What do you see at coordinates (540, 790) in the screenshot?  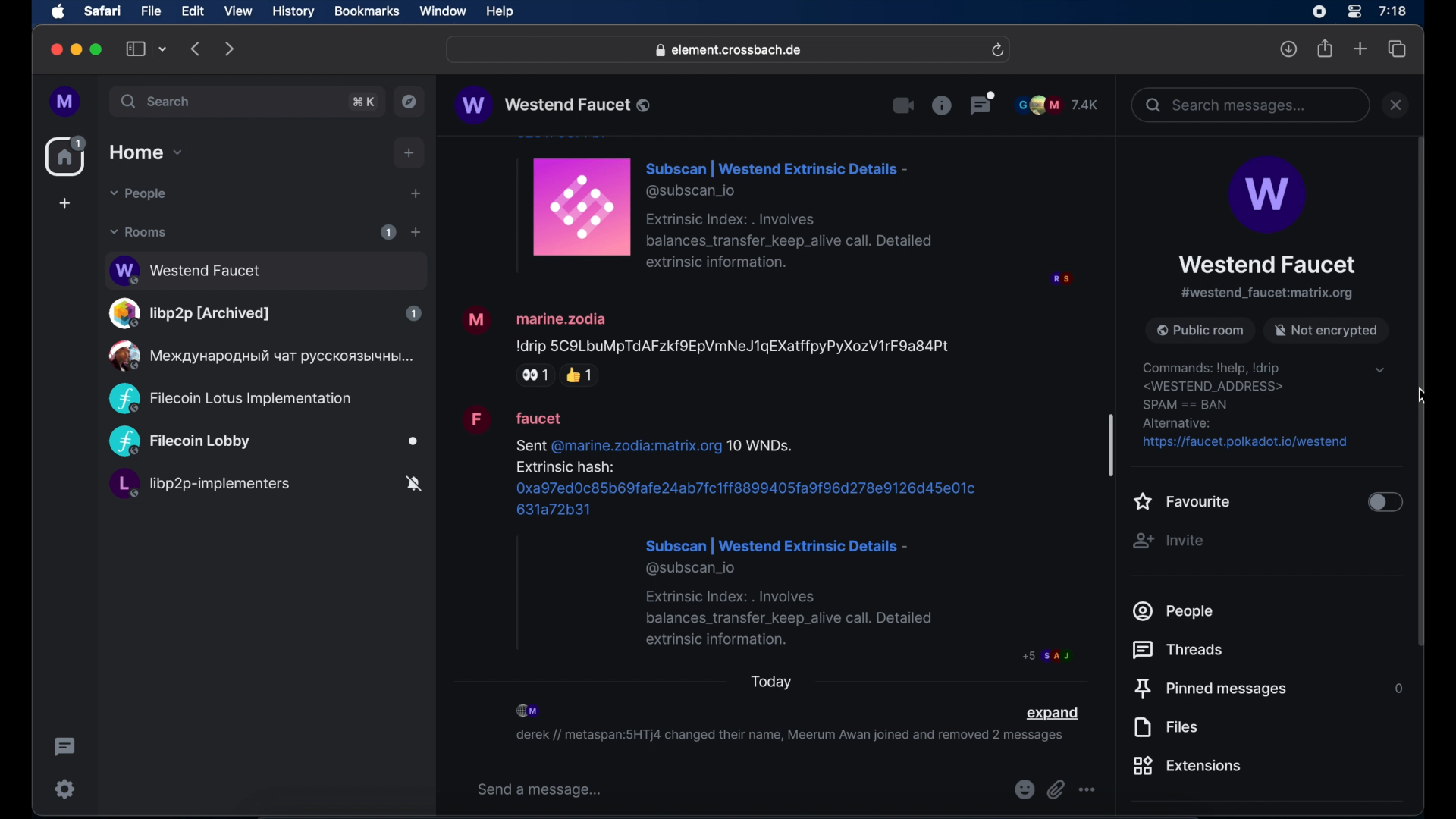 I see `send a message` at bounding box center [540, 790].